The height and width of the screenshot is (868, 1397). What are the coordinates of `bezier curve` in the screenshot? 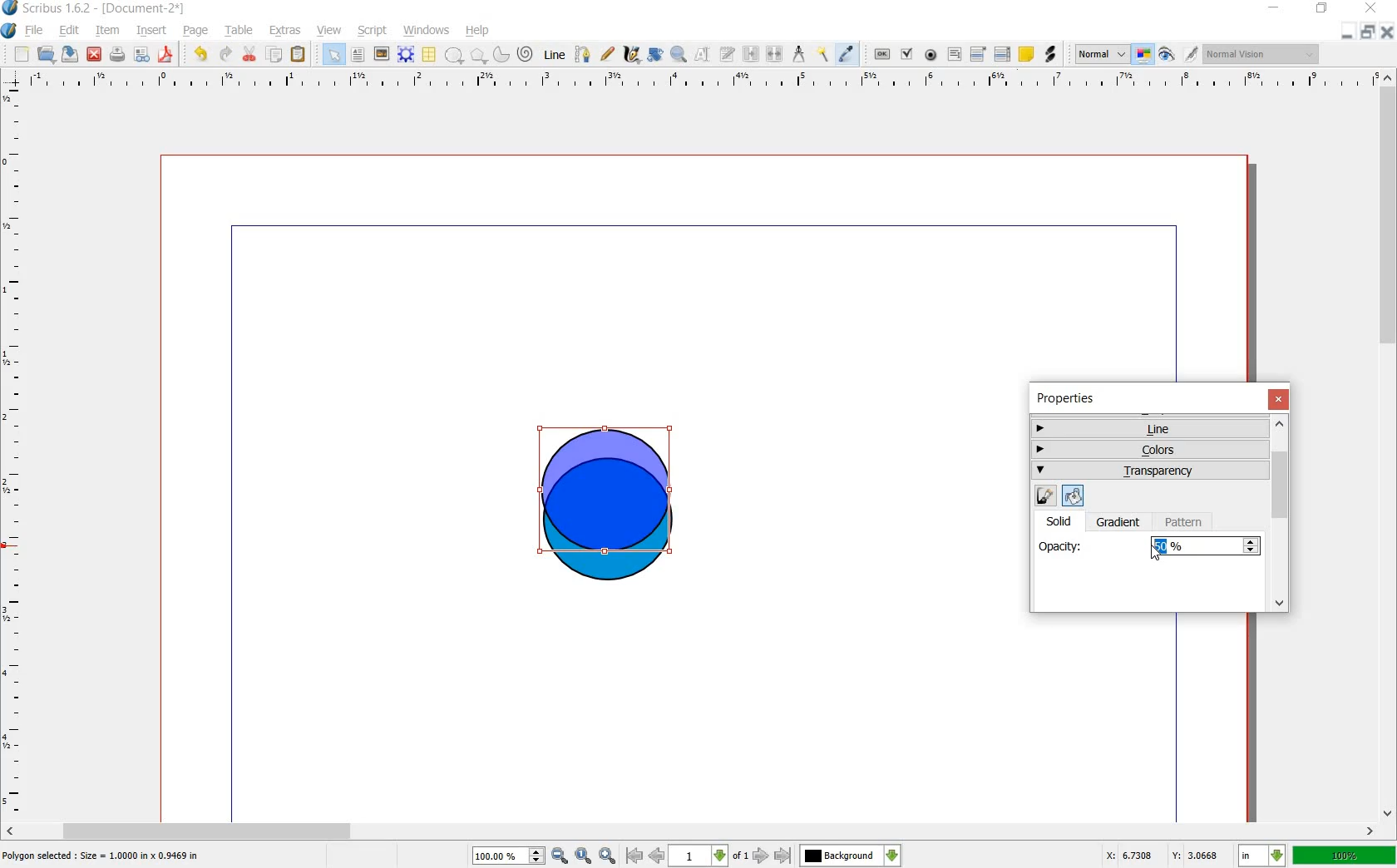 It's located at (583, 55).